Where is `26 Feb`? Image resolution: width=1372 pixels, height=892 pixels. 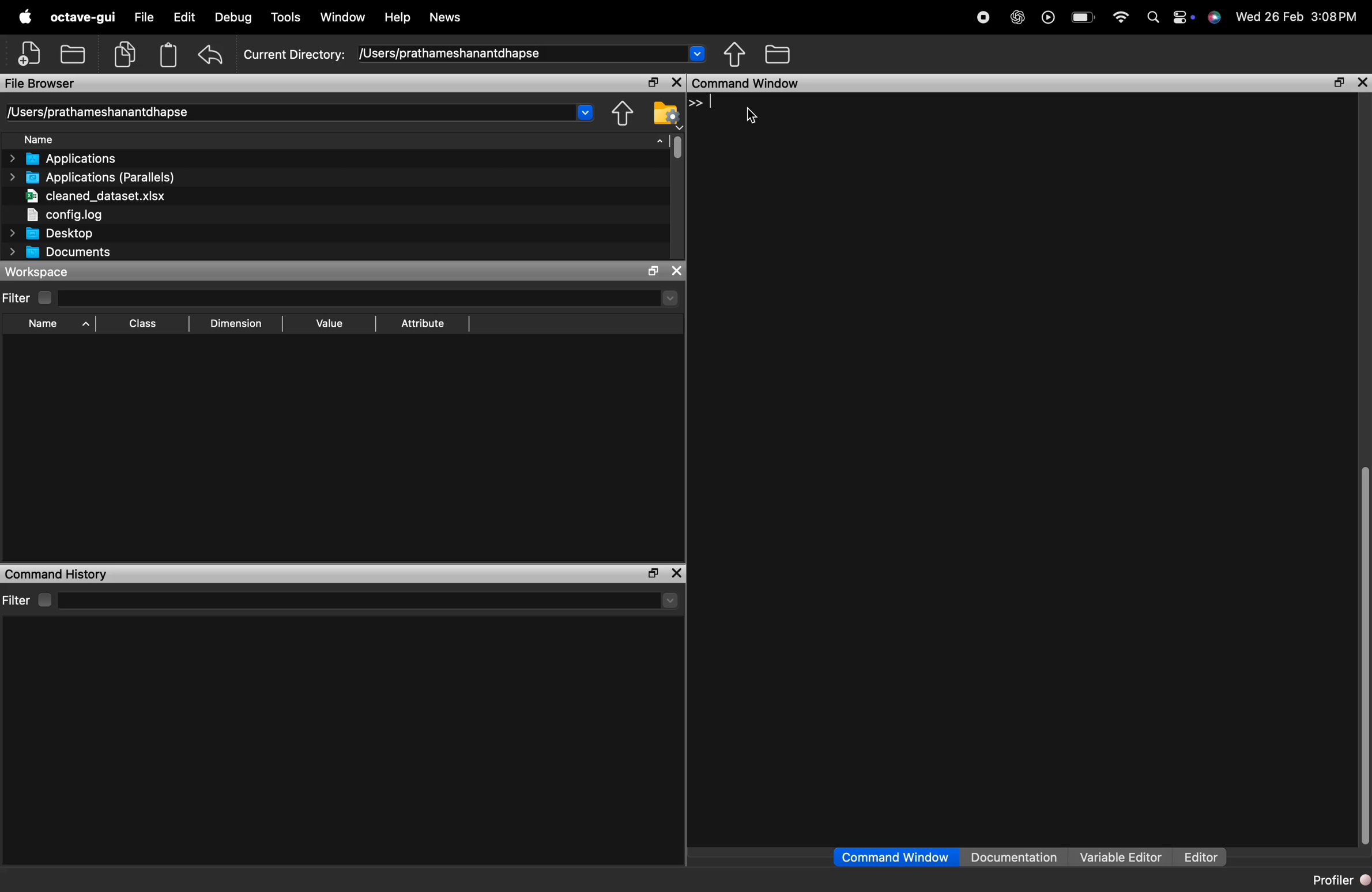
26 Feb is located at coordinates (1284, 16).